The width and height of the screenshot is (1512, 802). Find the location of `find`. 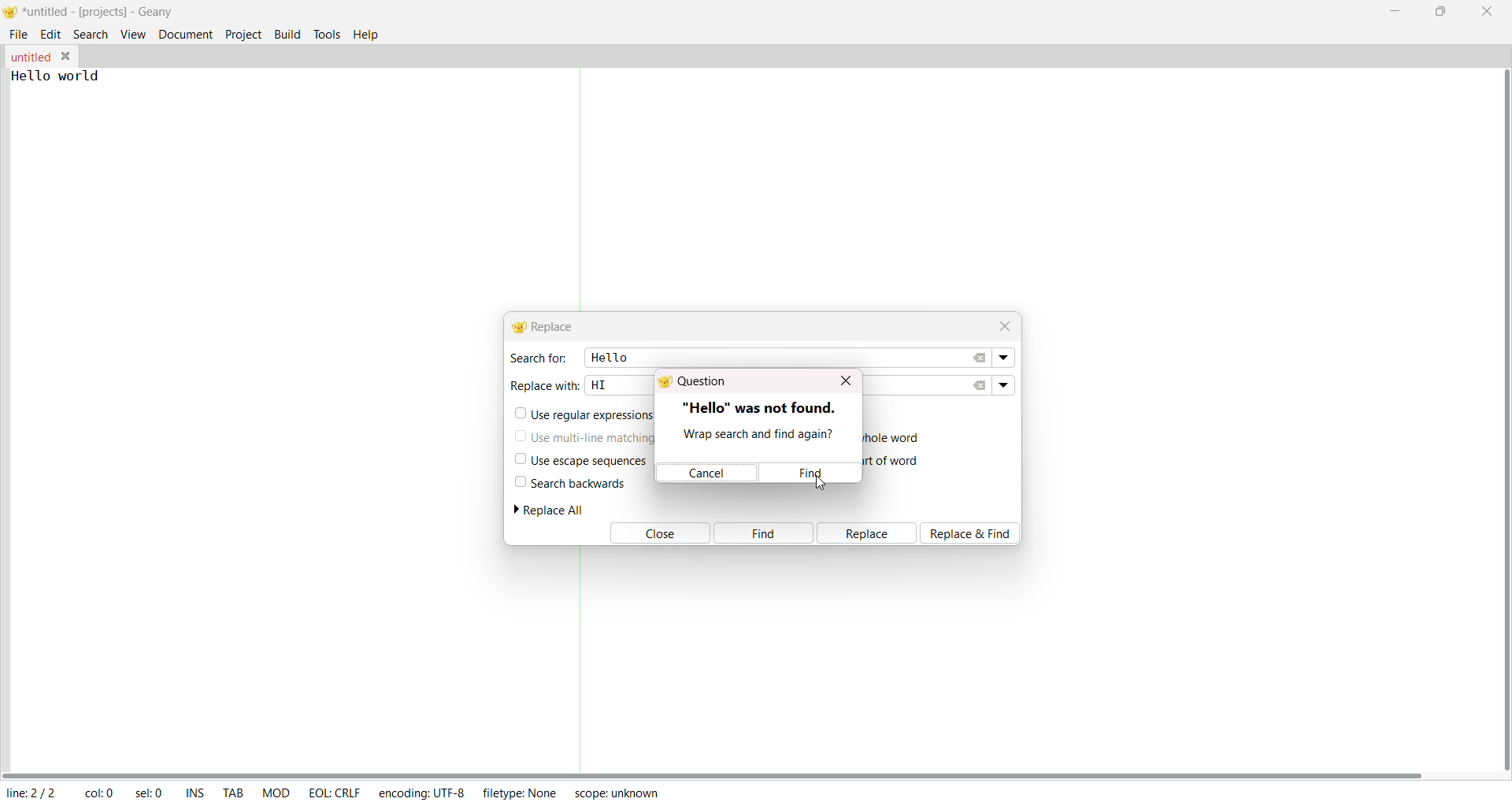

find is located at coordinates (763, 533).